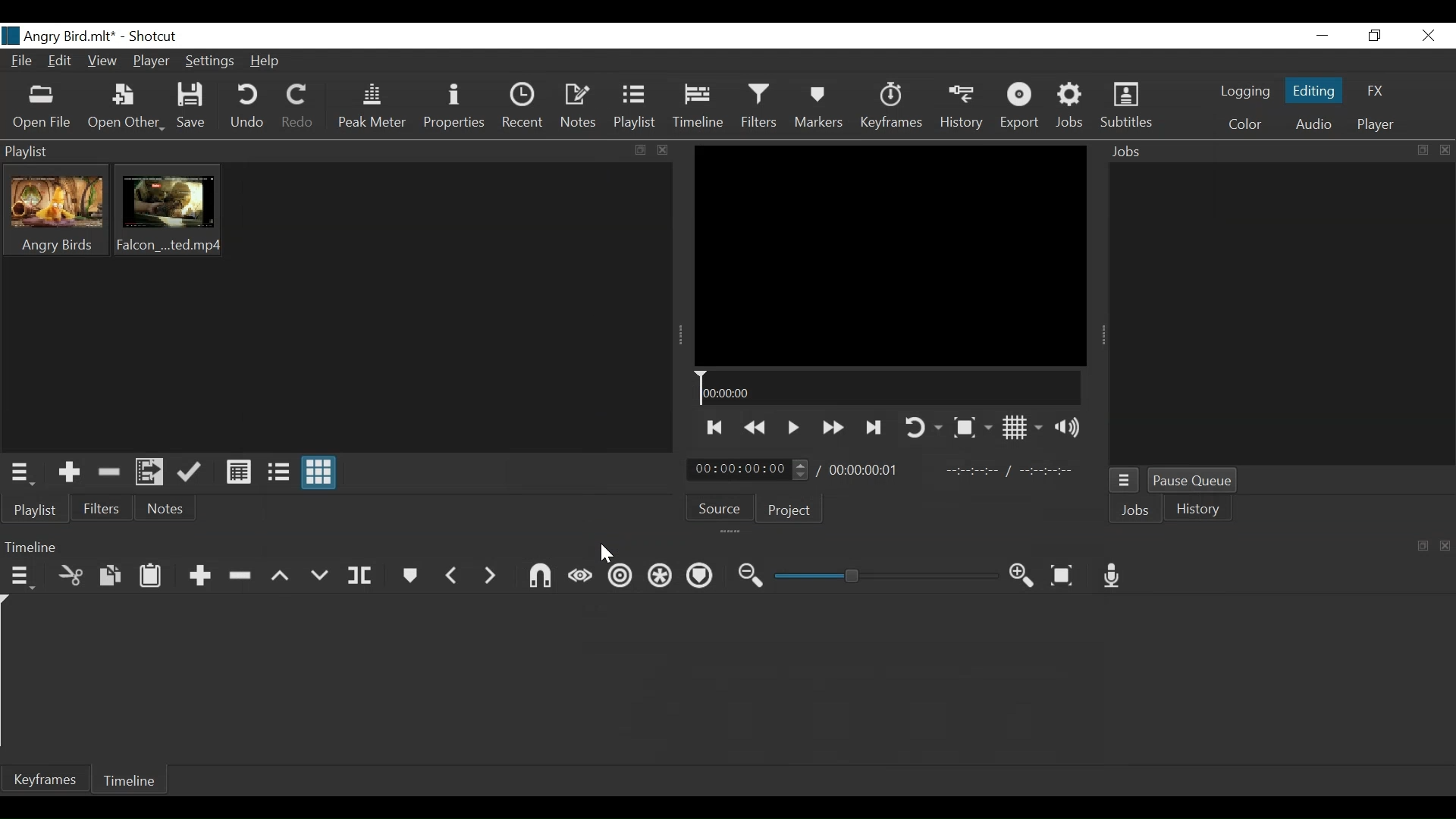  What do you see at coordinates (884, 574) in the screenshot?
I see `Zoom Slider` at bounding box center [884, 574].